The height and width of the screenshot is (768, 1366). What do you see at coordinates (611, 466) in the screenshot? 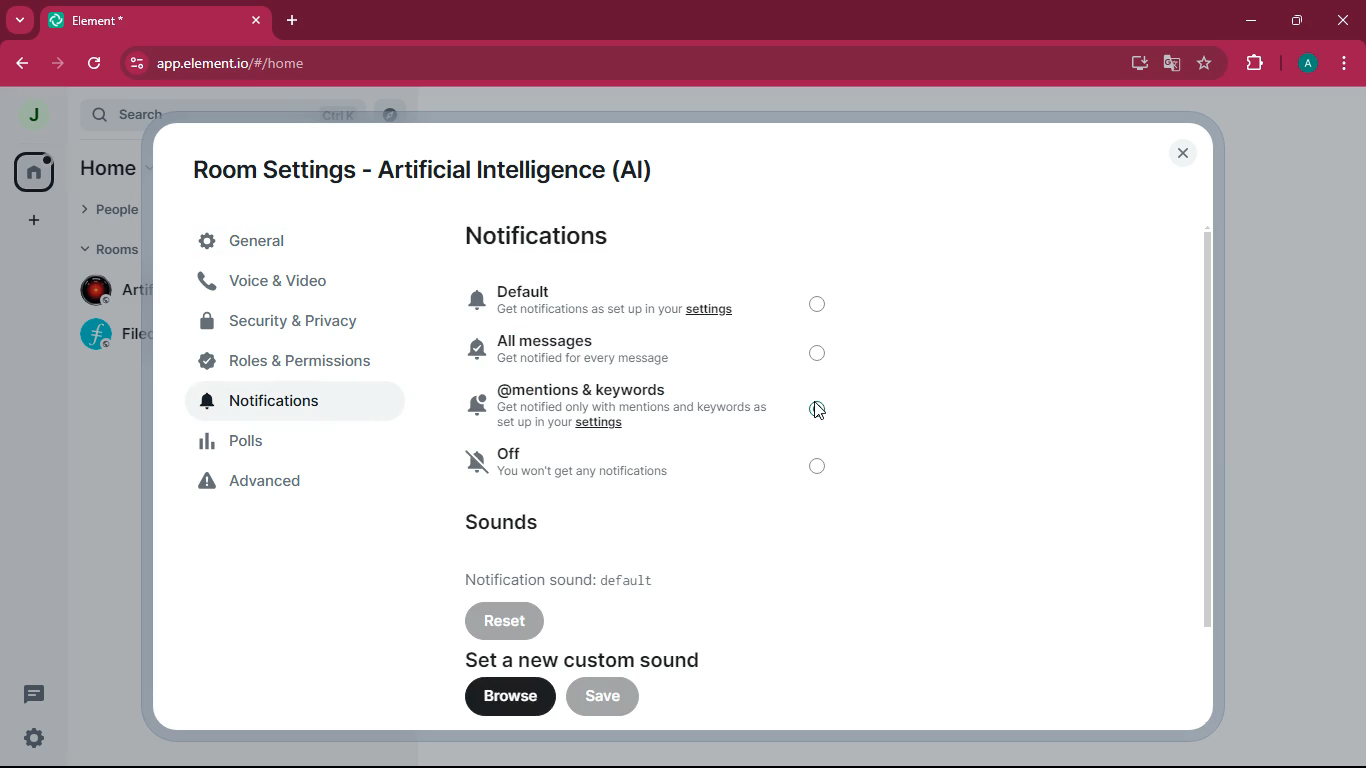
I see `off` at bounding box center [611, 466].